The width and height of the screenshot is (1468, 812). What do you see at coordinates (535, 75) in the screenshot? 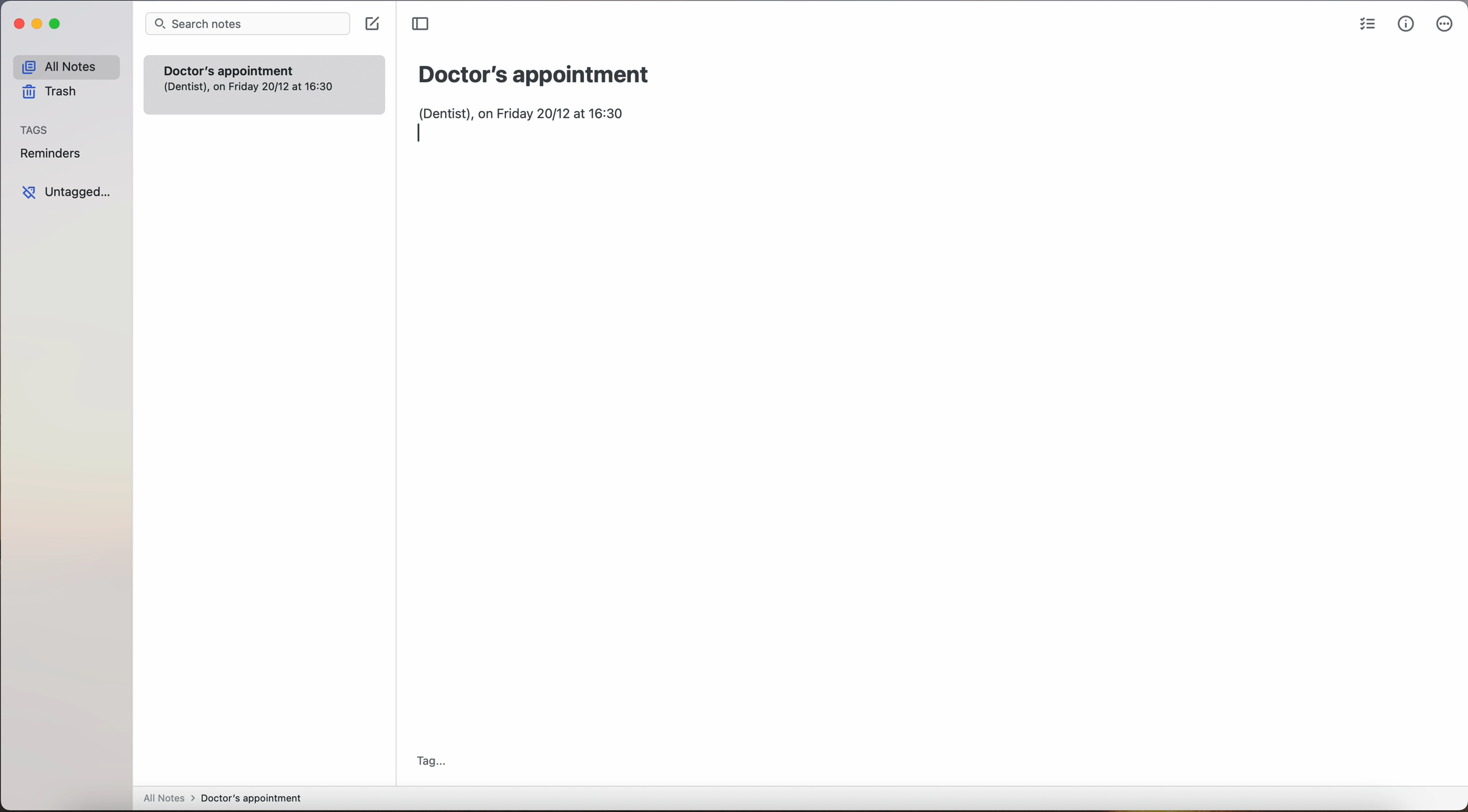
I see `Doctor's appointment` at bounding box center [535, 75].